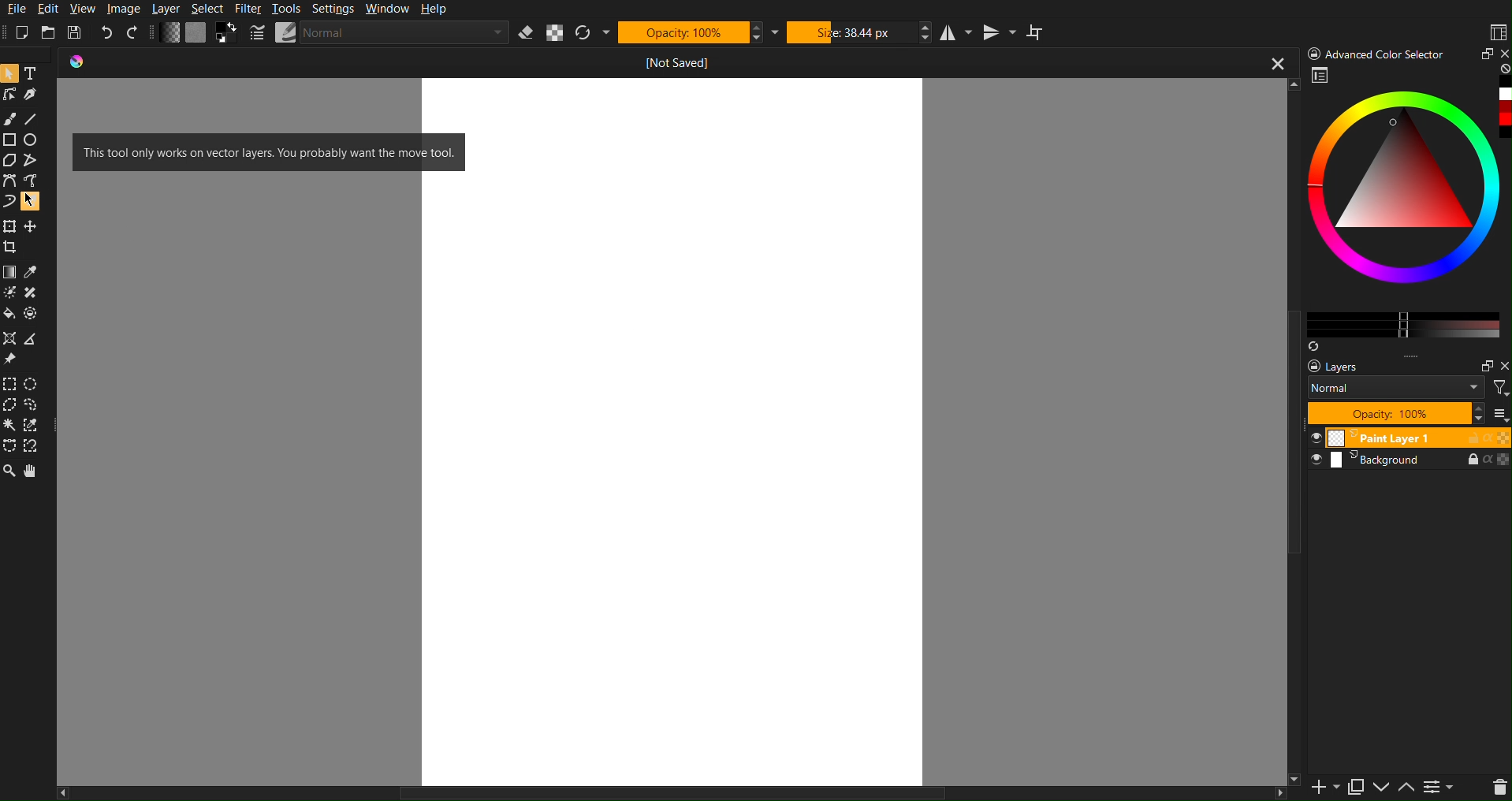 Image resolution: width=1512 pixels, height=801 pixels. I want to click on Brush, so click(11, 119).